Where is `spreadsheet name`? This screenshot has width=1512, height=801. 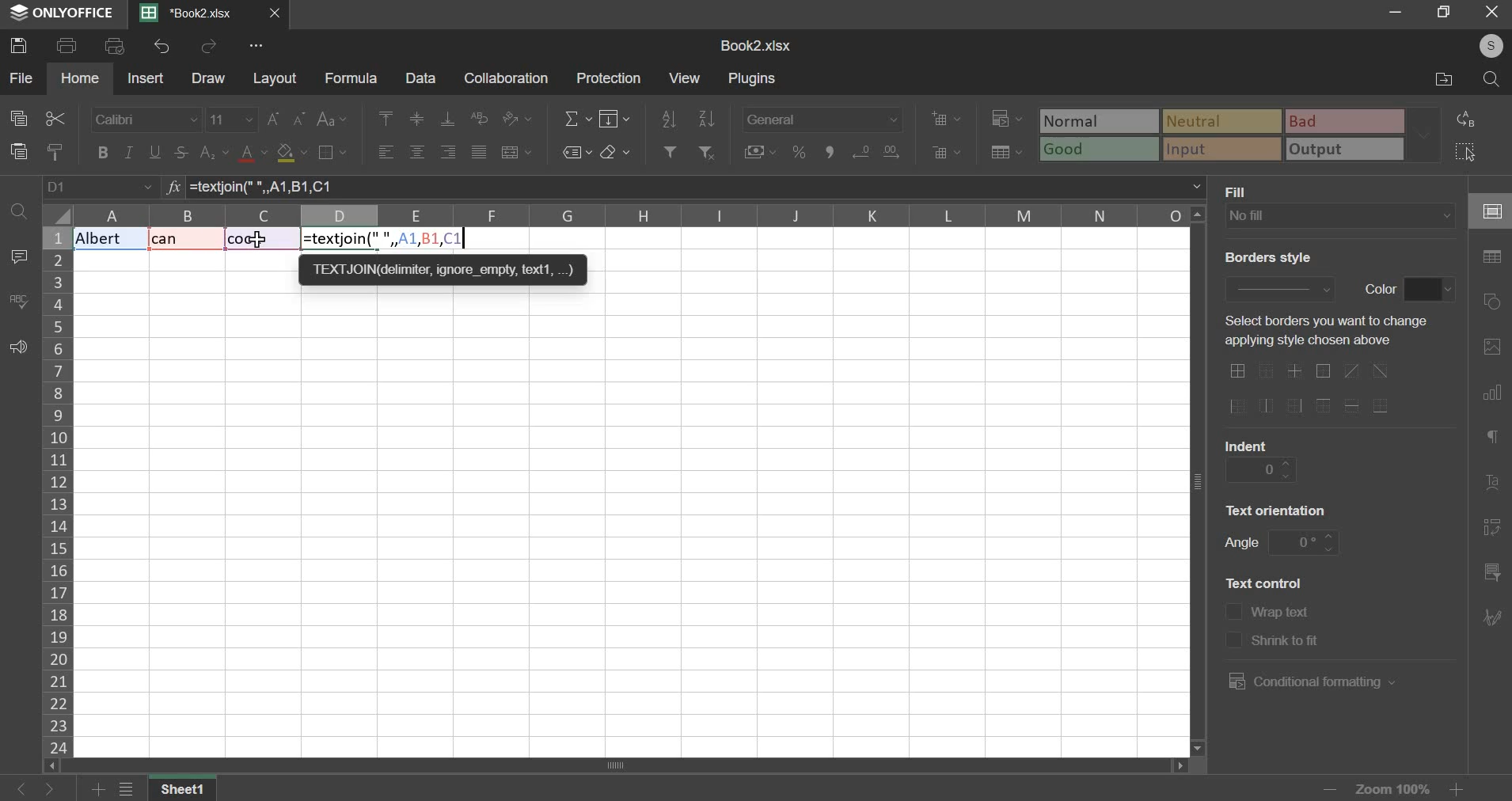 spreadsheet name is located at coordinates (755, 46).